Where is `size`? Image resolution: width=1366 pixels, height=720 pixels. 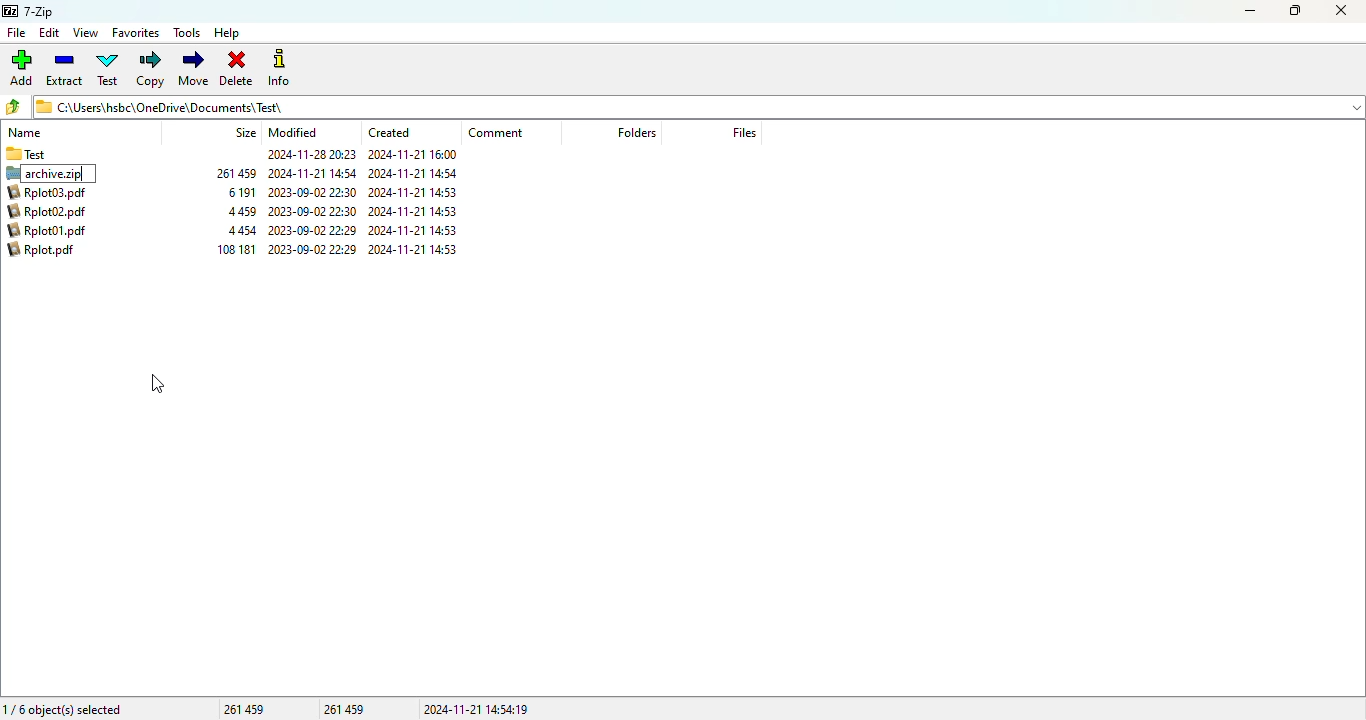 size is located at coordinates (245, 132).